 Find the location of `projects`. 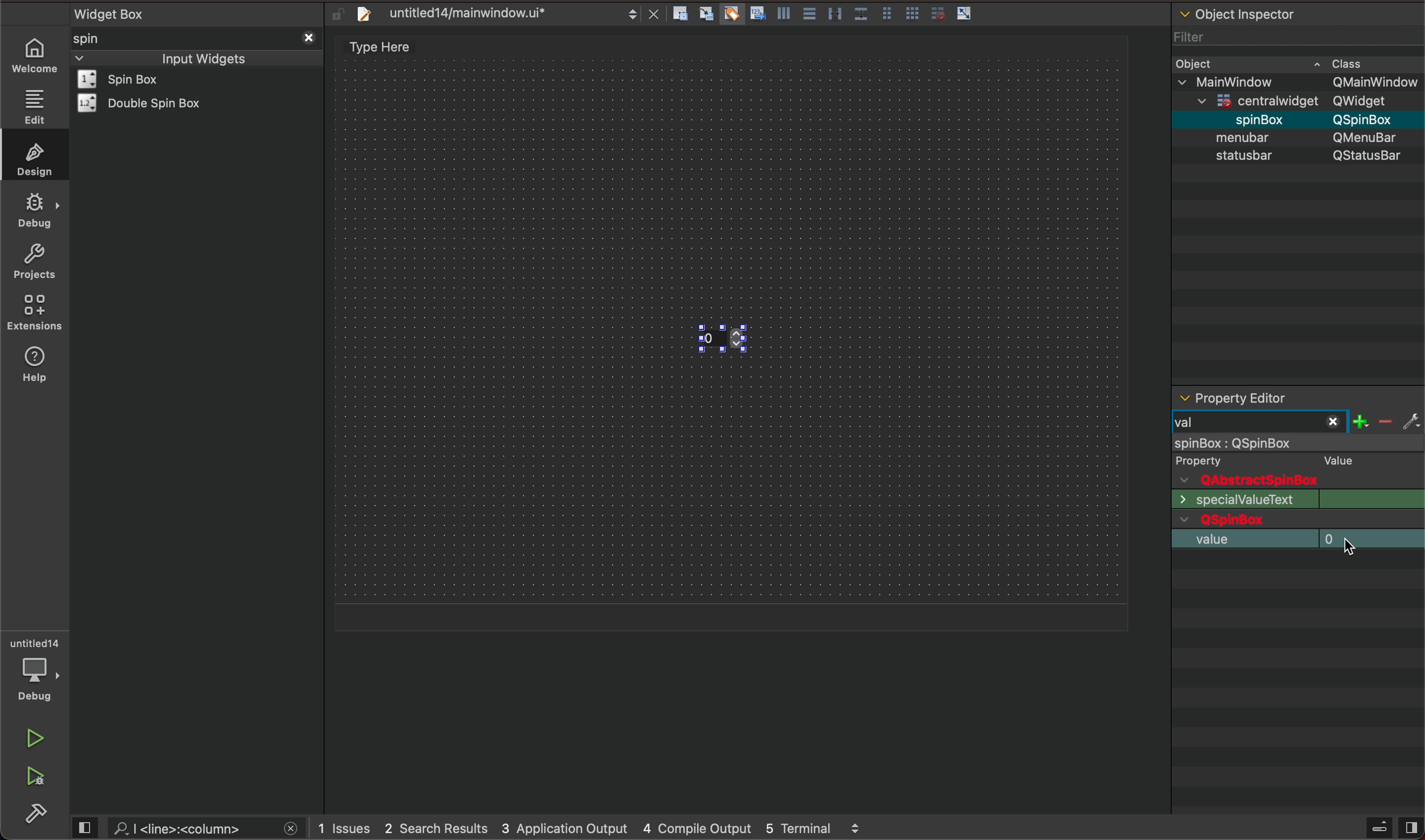

projects is located at coordinates (33, 261).